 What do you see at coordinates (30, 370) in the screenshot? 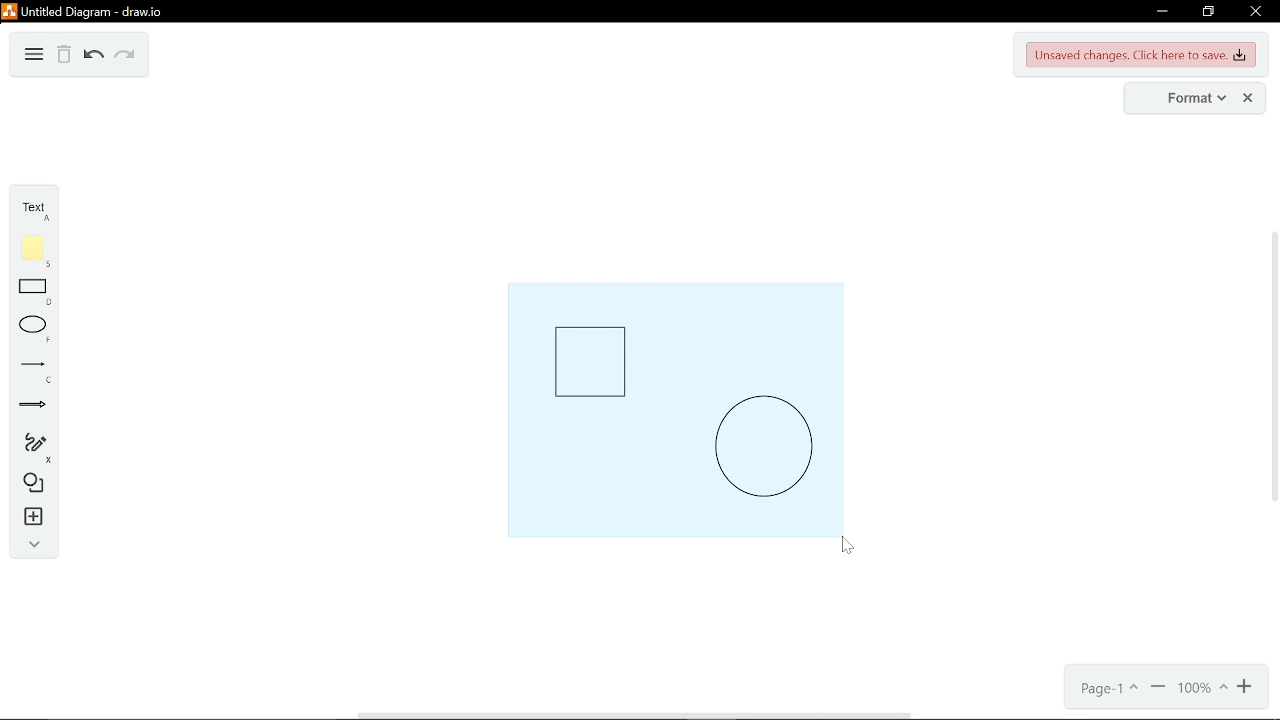
I see `line` at bounding box center [30, 370].